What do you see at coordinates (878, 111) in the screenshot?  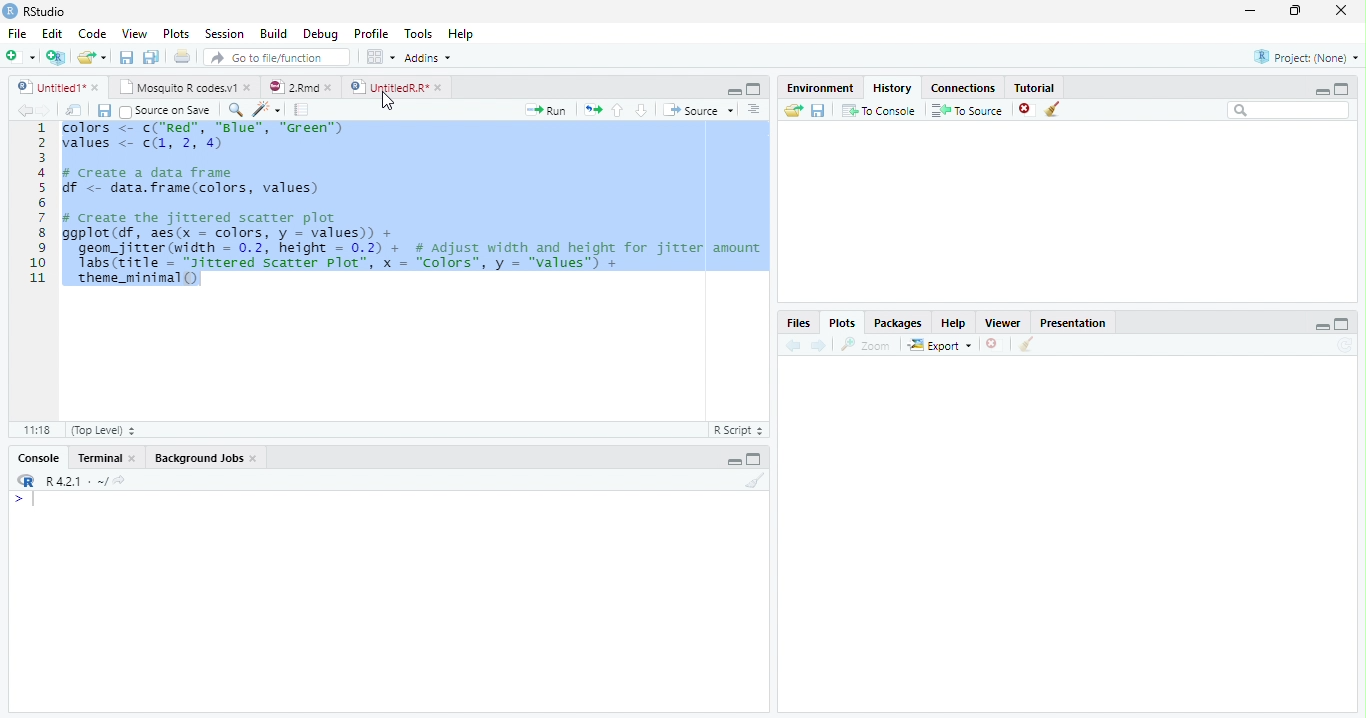 I see `To Console` at bounding box center [878, 111].